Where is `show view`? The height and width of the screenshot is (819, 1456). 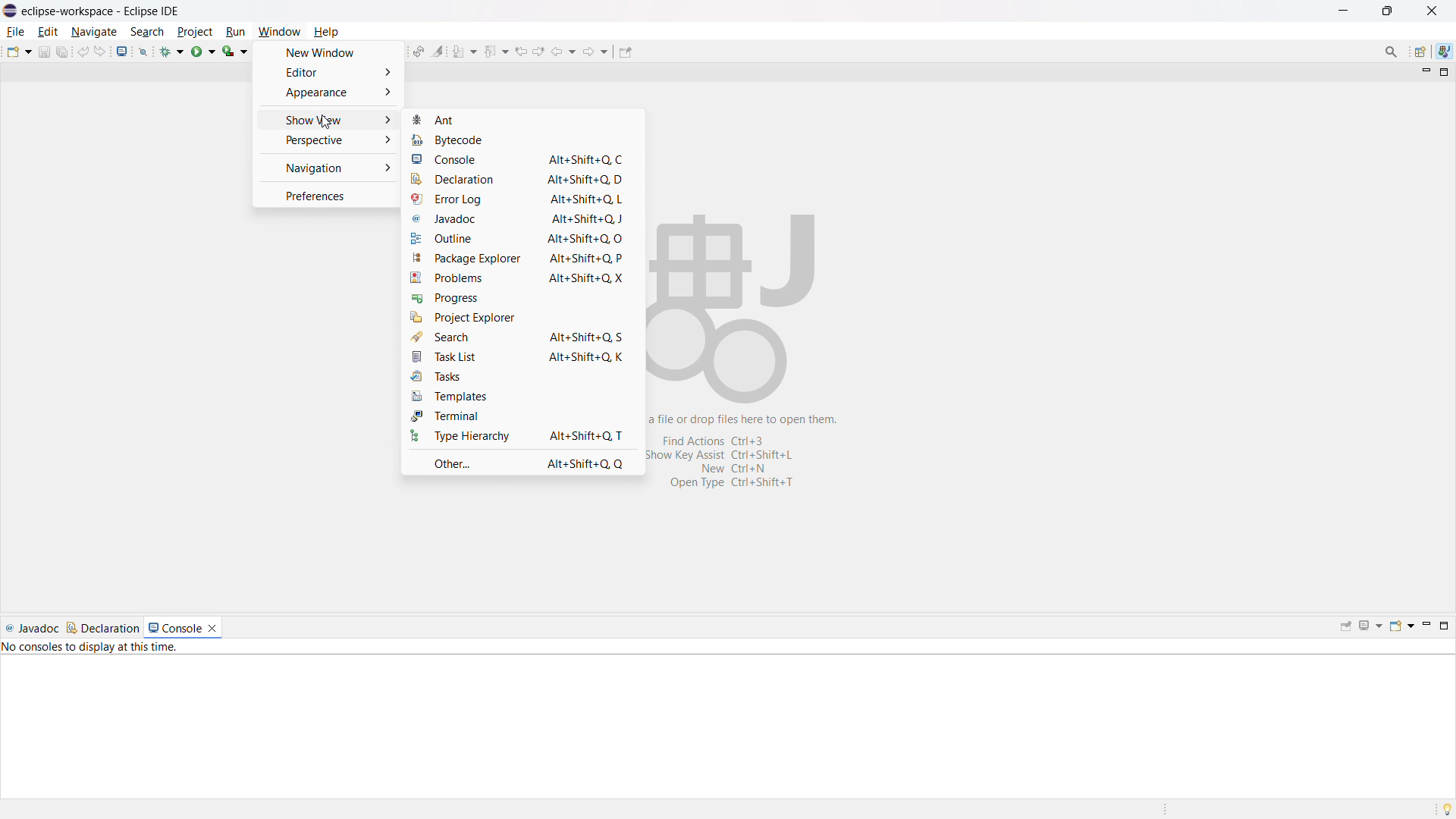 show view is located at coordinates (328, 118).